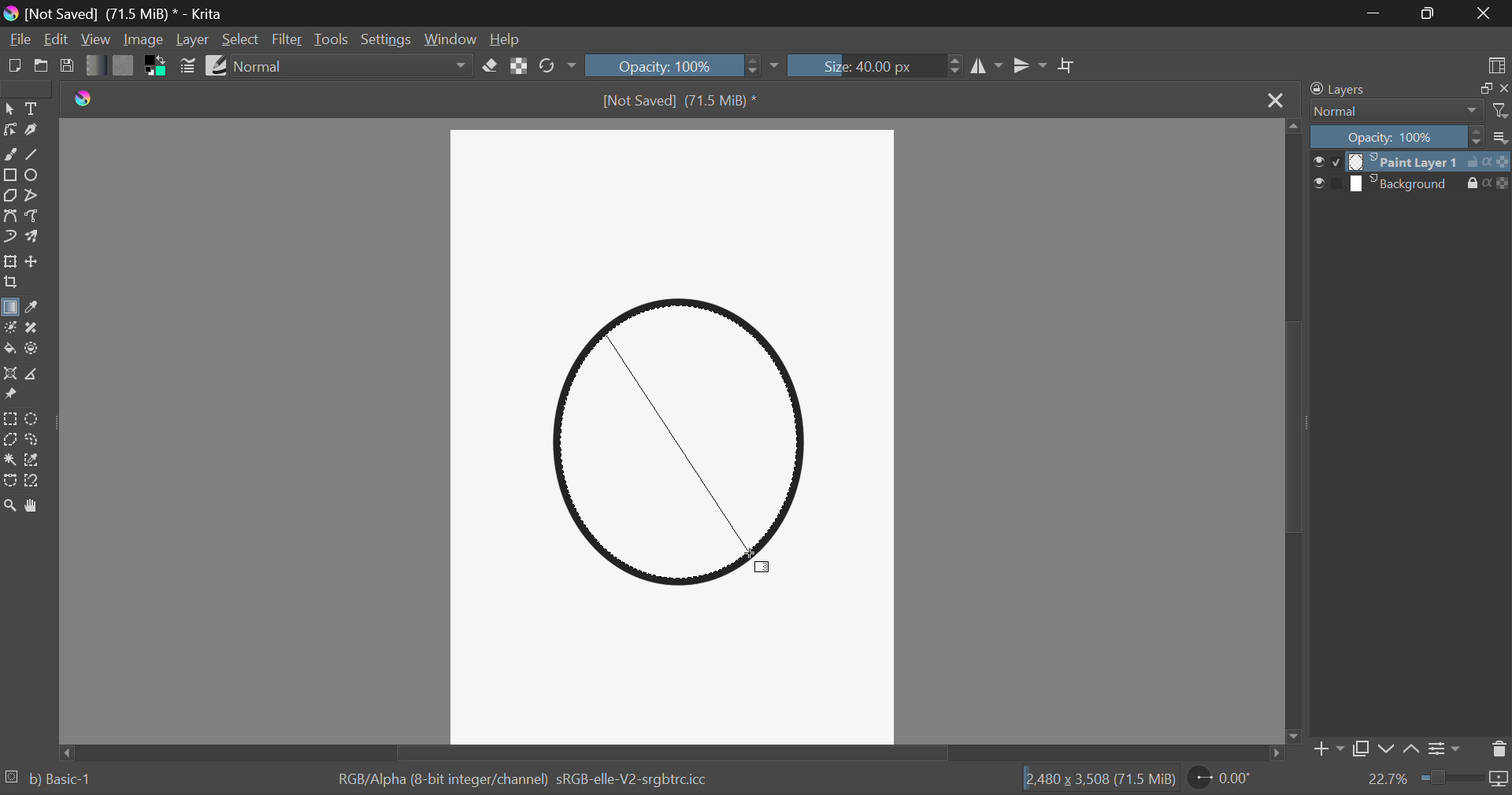  What do you see at coordinates (13, 417) in the screenshot?
I see `Rectangle Selection` at bounding box center [13, 417].